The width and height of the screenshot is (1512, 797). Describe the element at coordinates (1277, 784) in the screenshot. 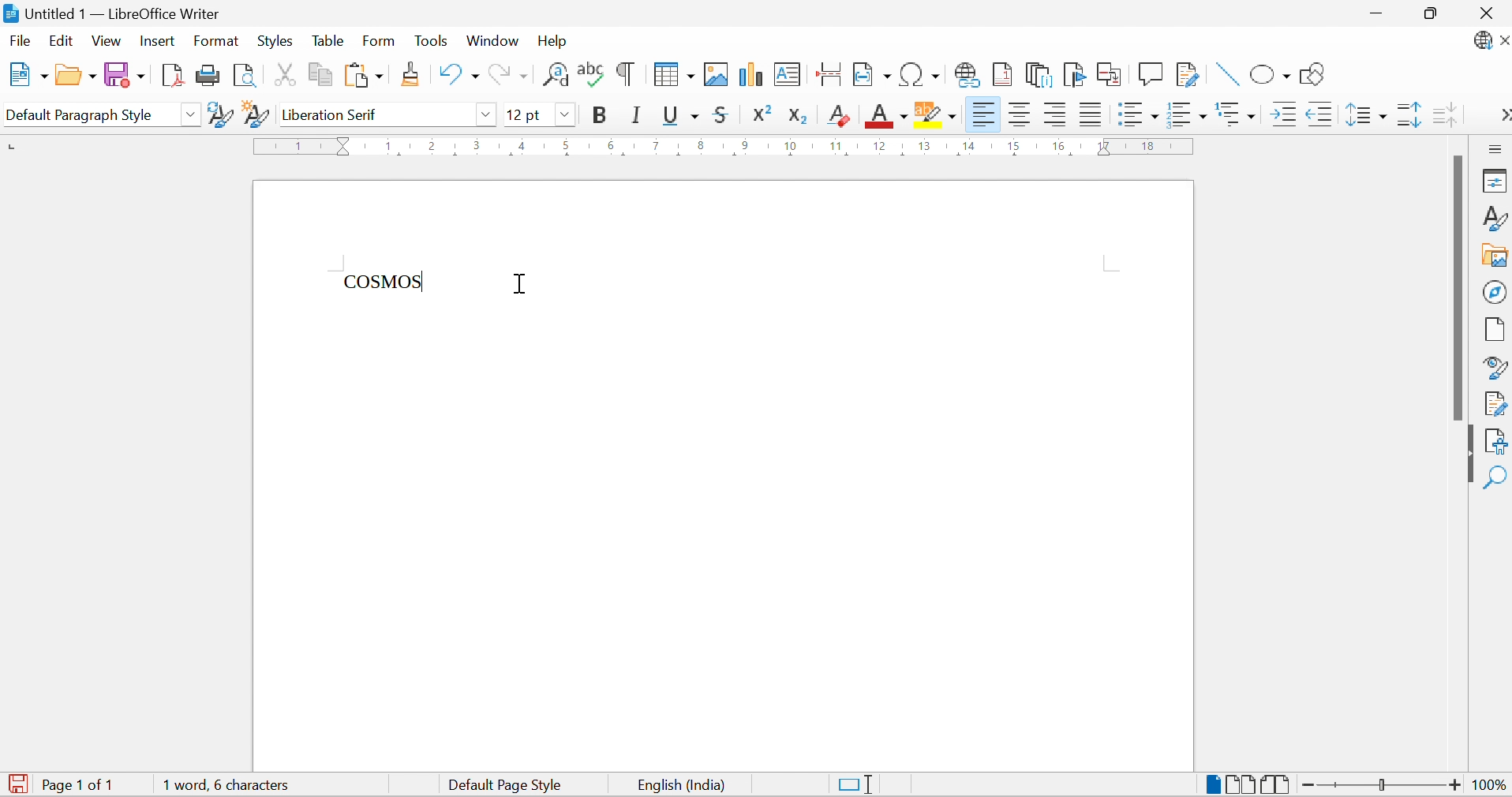

I see `Book View` at that location.